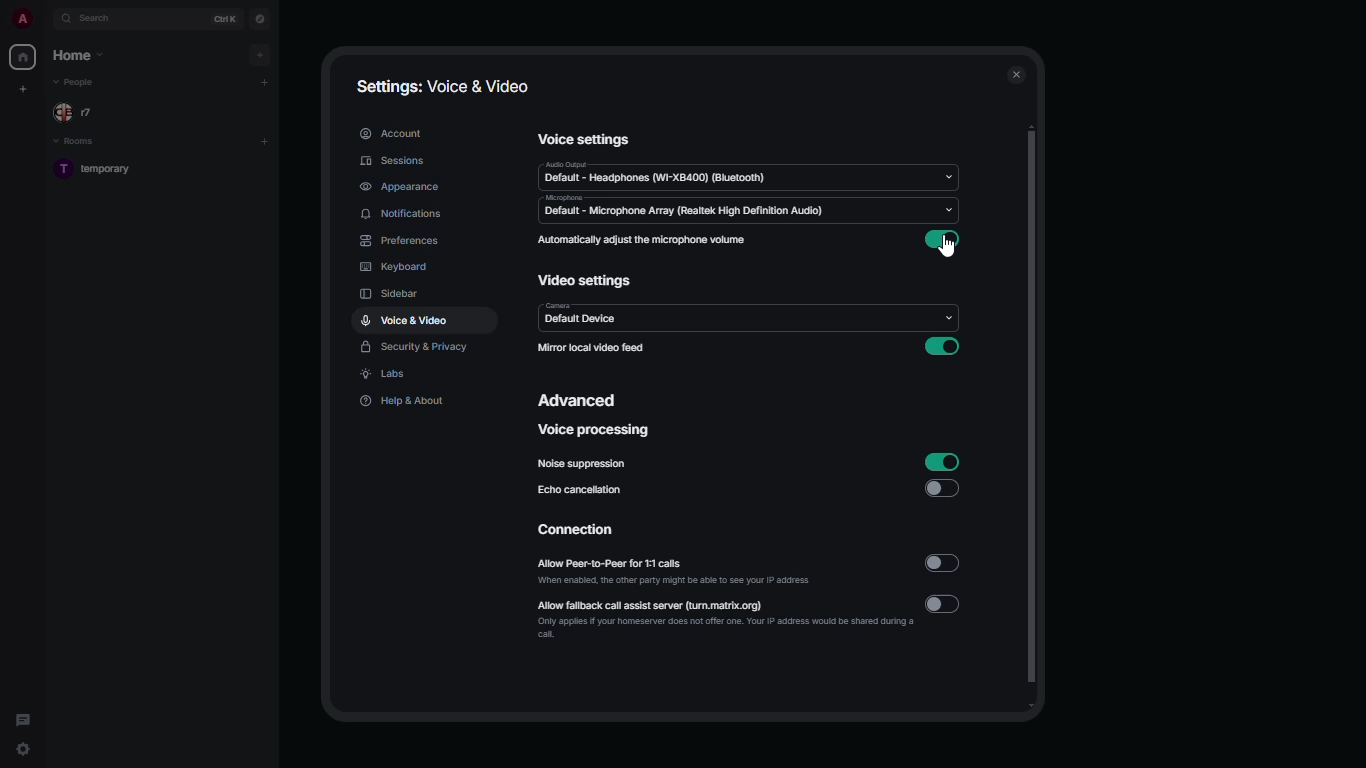  I want to click on enabled, so click(944, 462).